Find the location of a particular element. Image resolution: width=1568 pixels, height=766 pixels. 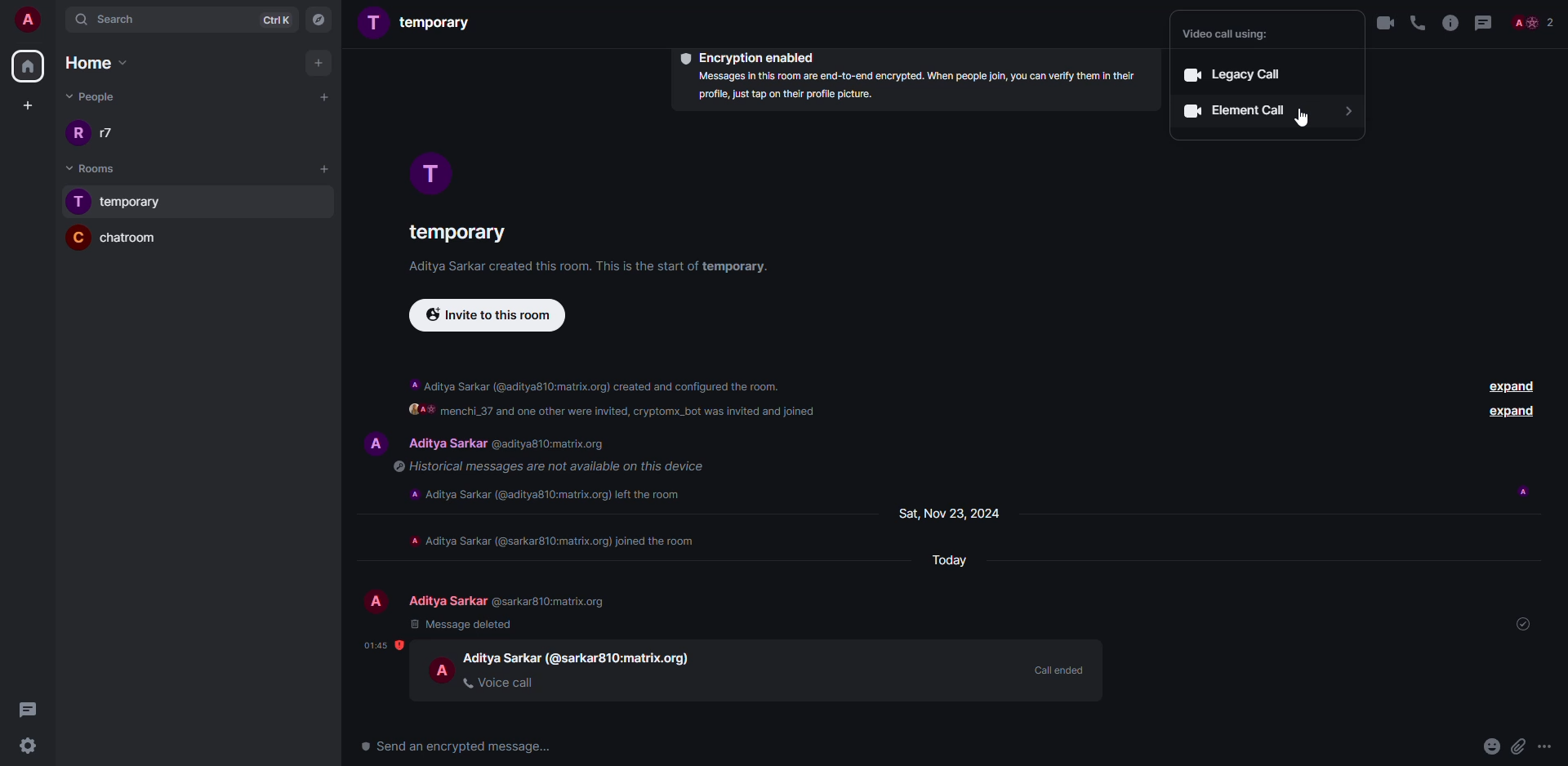

day is located at coordinates (950, 514).